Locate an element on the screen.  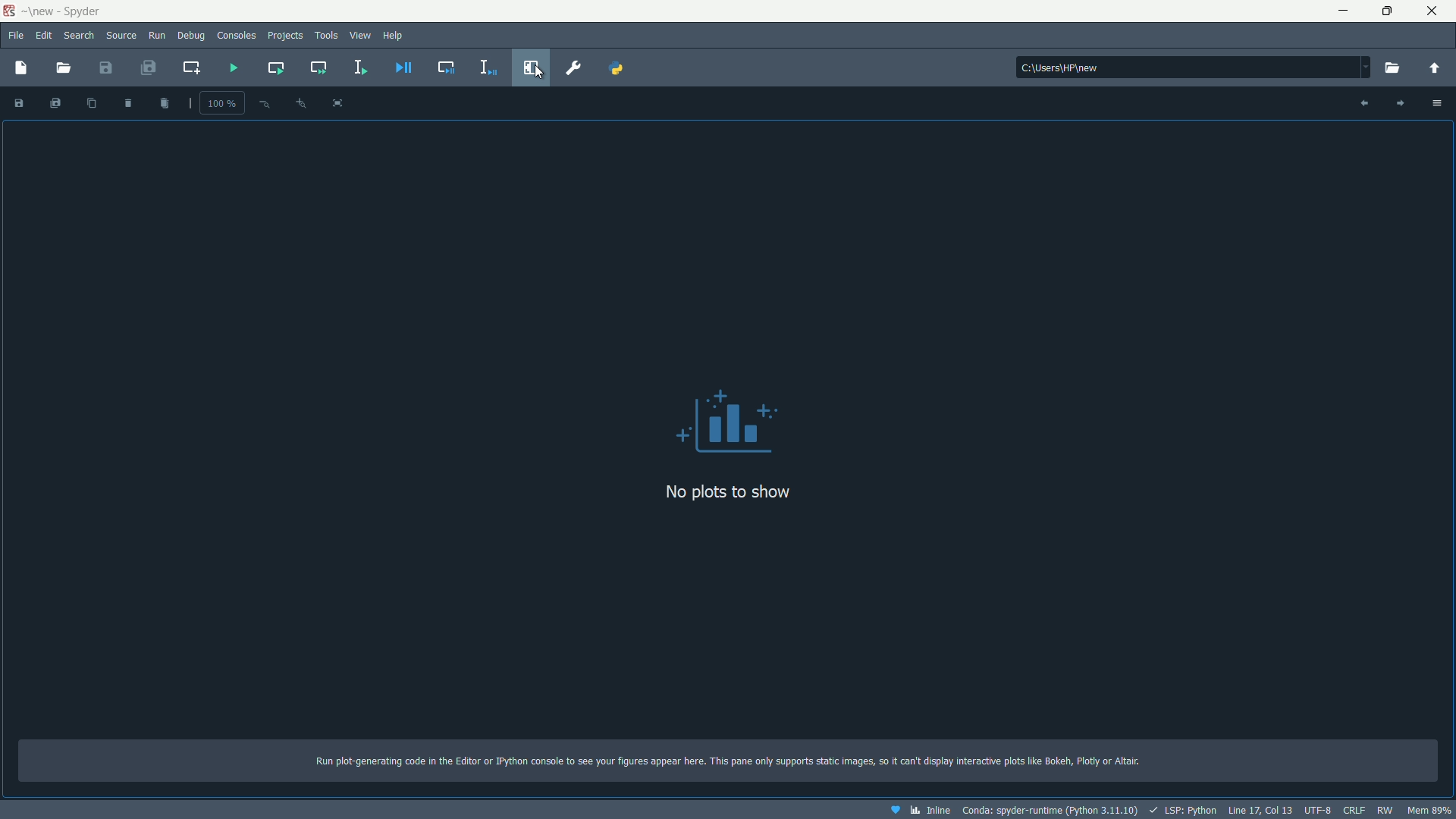
close app is located at coordinates (1438, 11).